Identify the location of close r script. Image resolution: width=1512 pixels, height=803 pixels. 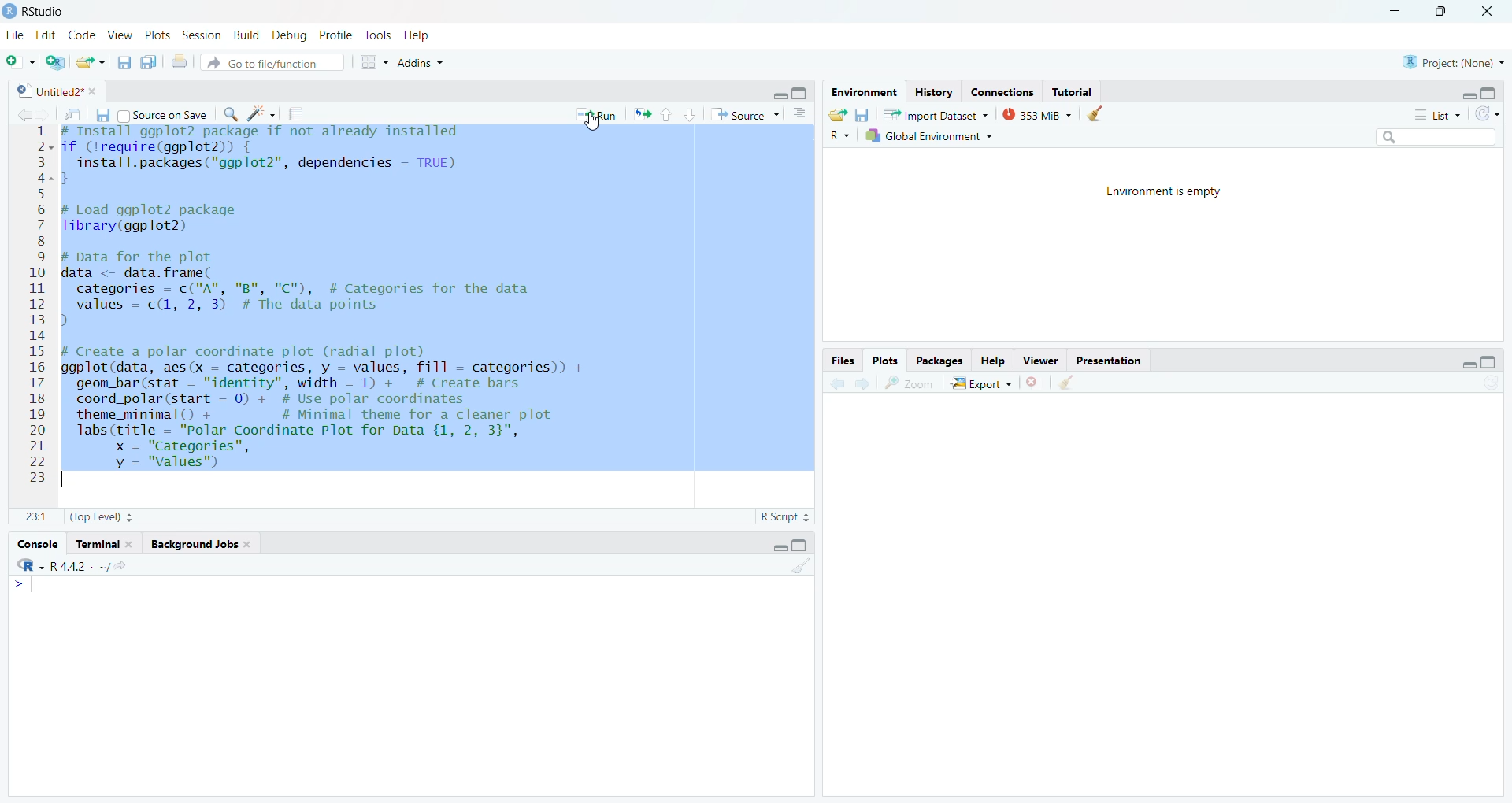
(774, 94).